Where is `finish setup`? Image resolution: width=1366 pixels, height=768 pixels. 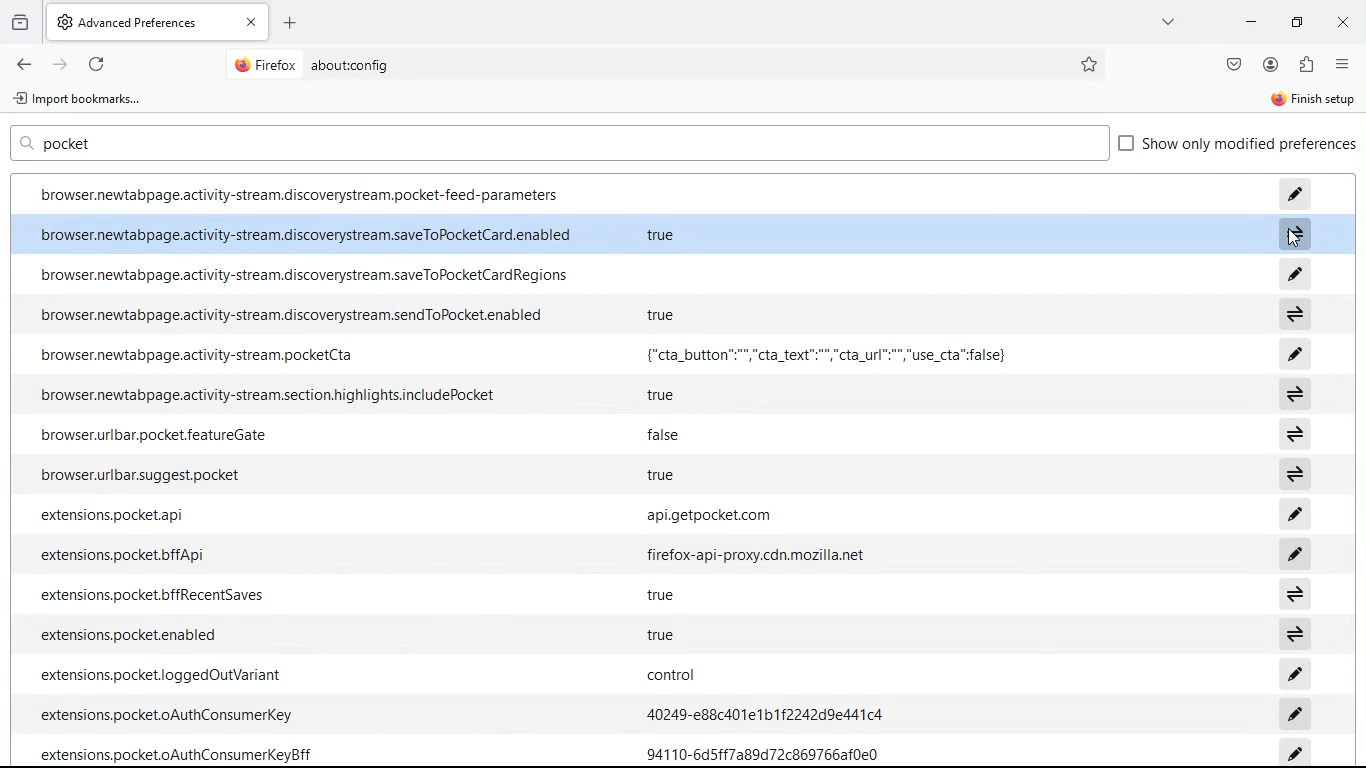 finish setup is located at coordinates (1314, 102).